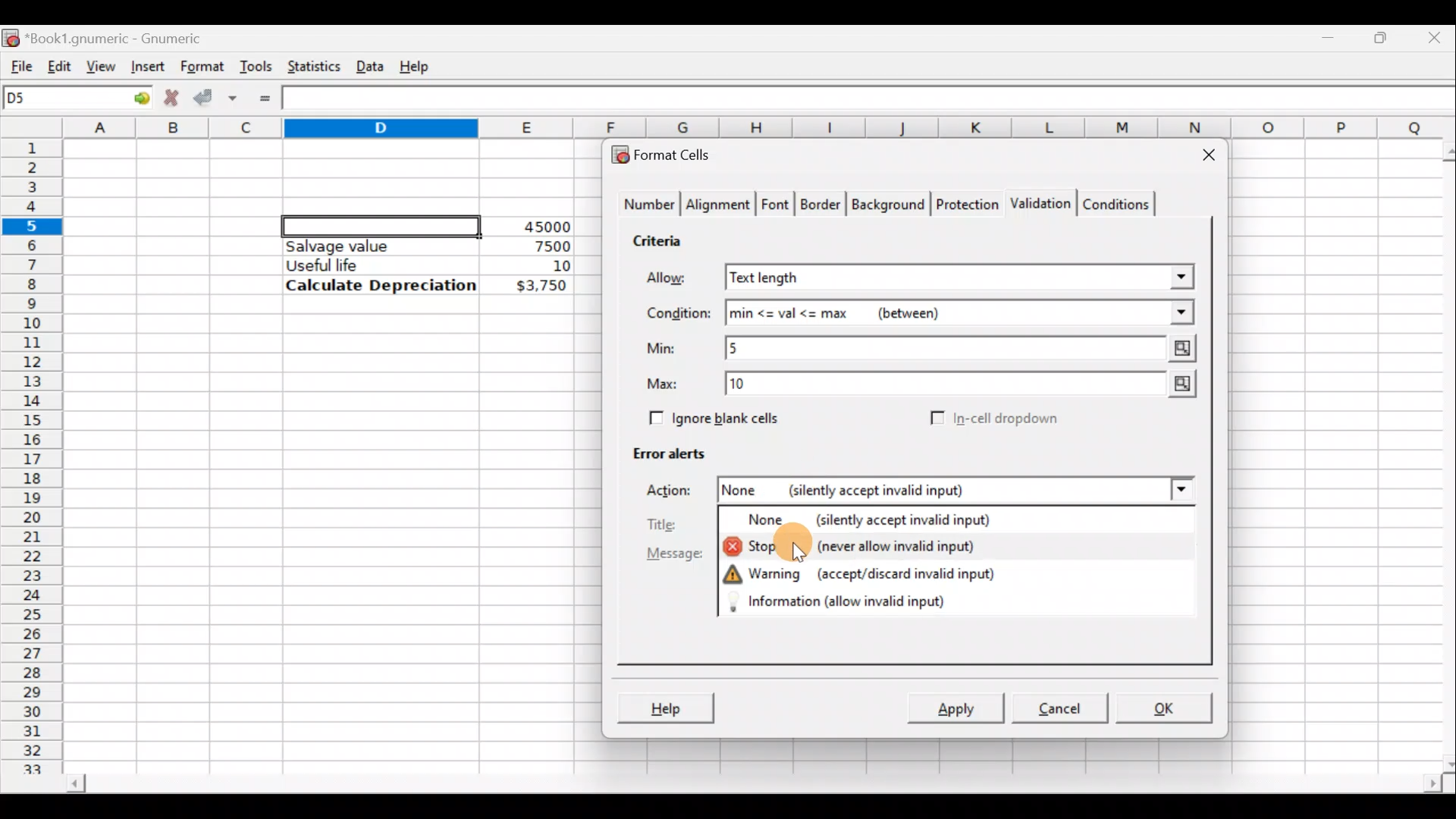 Image resolution: width=1456 pixels, height=819 pixels. What do you see at coordinates (963, 348) in the screenshot?
I see `Min value = 5` at bounding box center [963, 348].